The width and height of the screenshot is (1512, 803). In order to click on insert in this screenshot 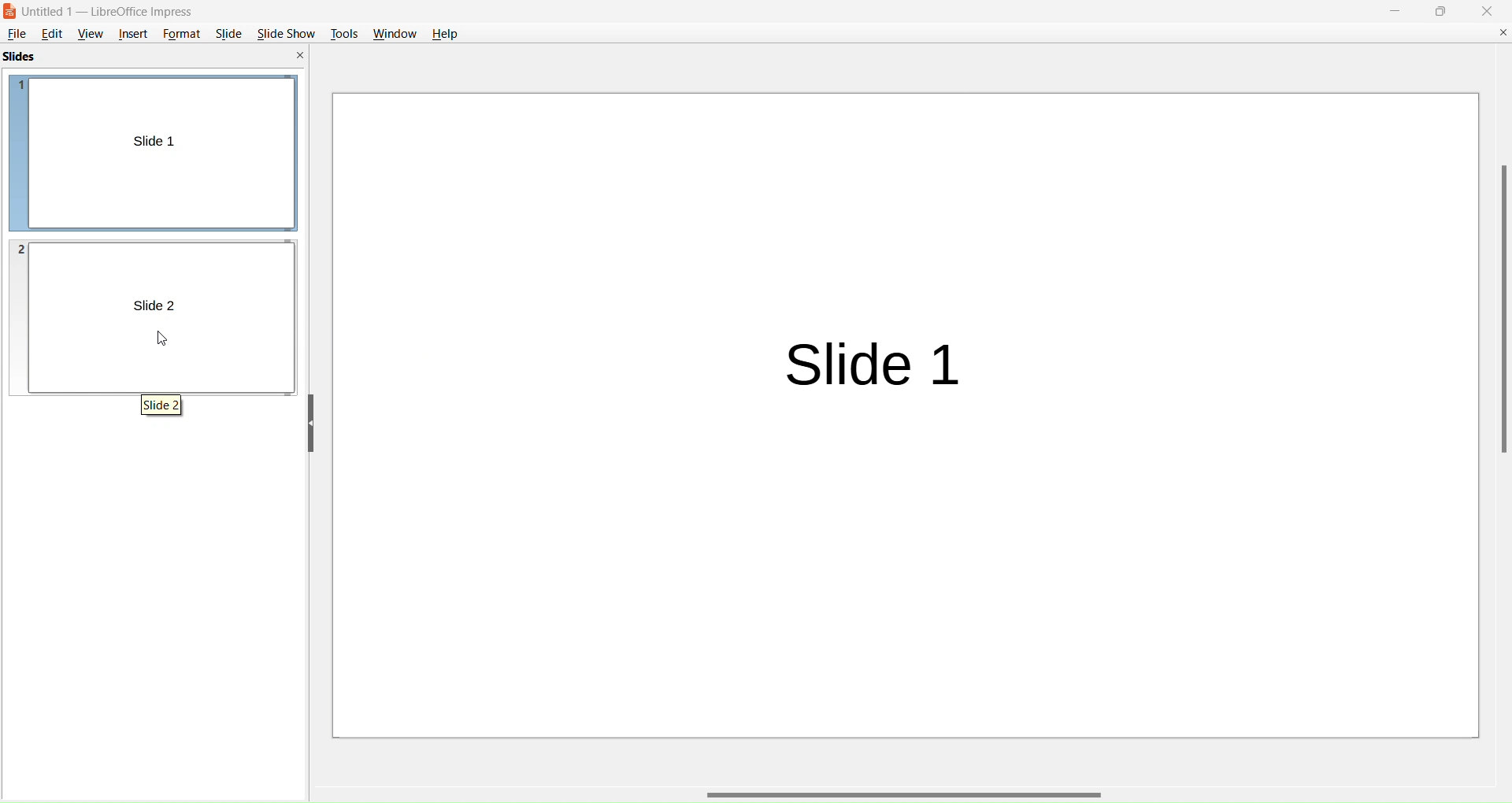, I will do `click(134, 35)`.